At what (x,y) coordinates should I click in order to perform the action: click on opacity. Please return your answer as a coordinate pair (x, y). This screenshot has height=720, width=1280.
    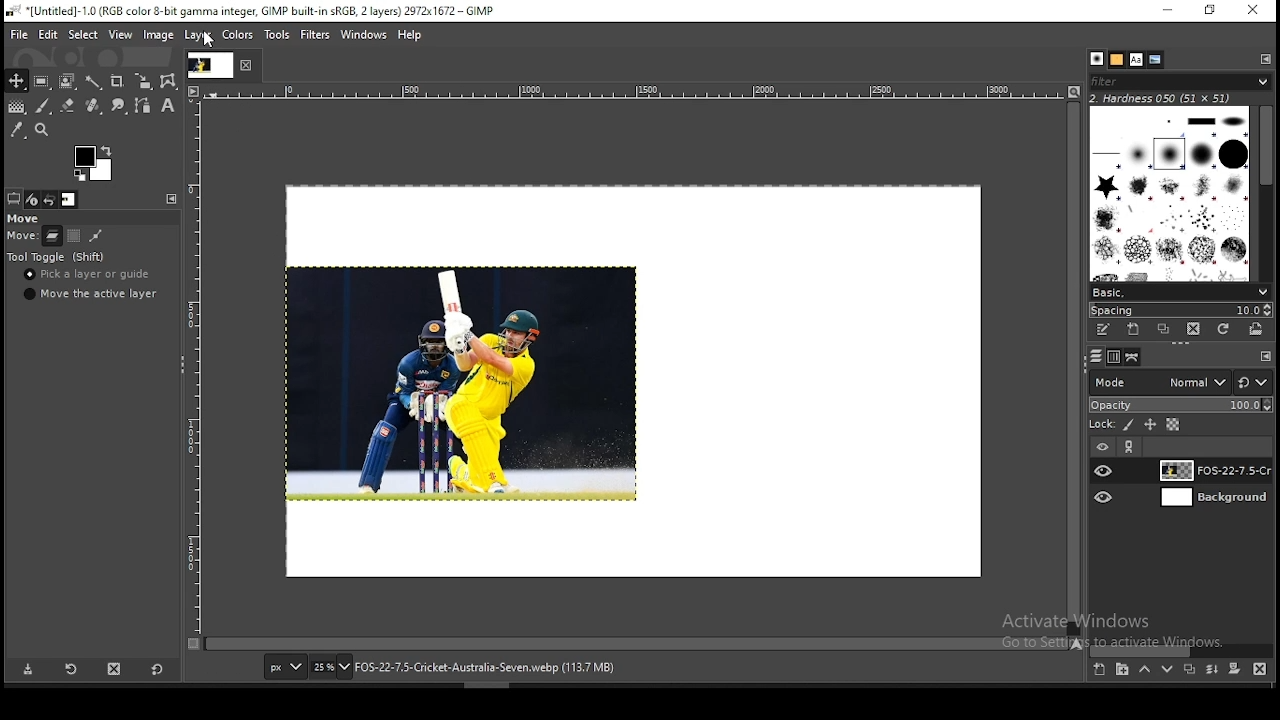
    Looking at the image, I should click on (1180, 406).